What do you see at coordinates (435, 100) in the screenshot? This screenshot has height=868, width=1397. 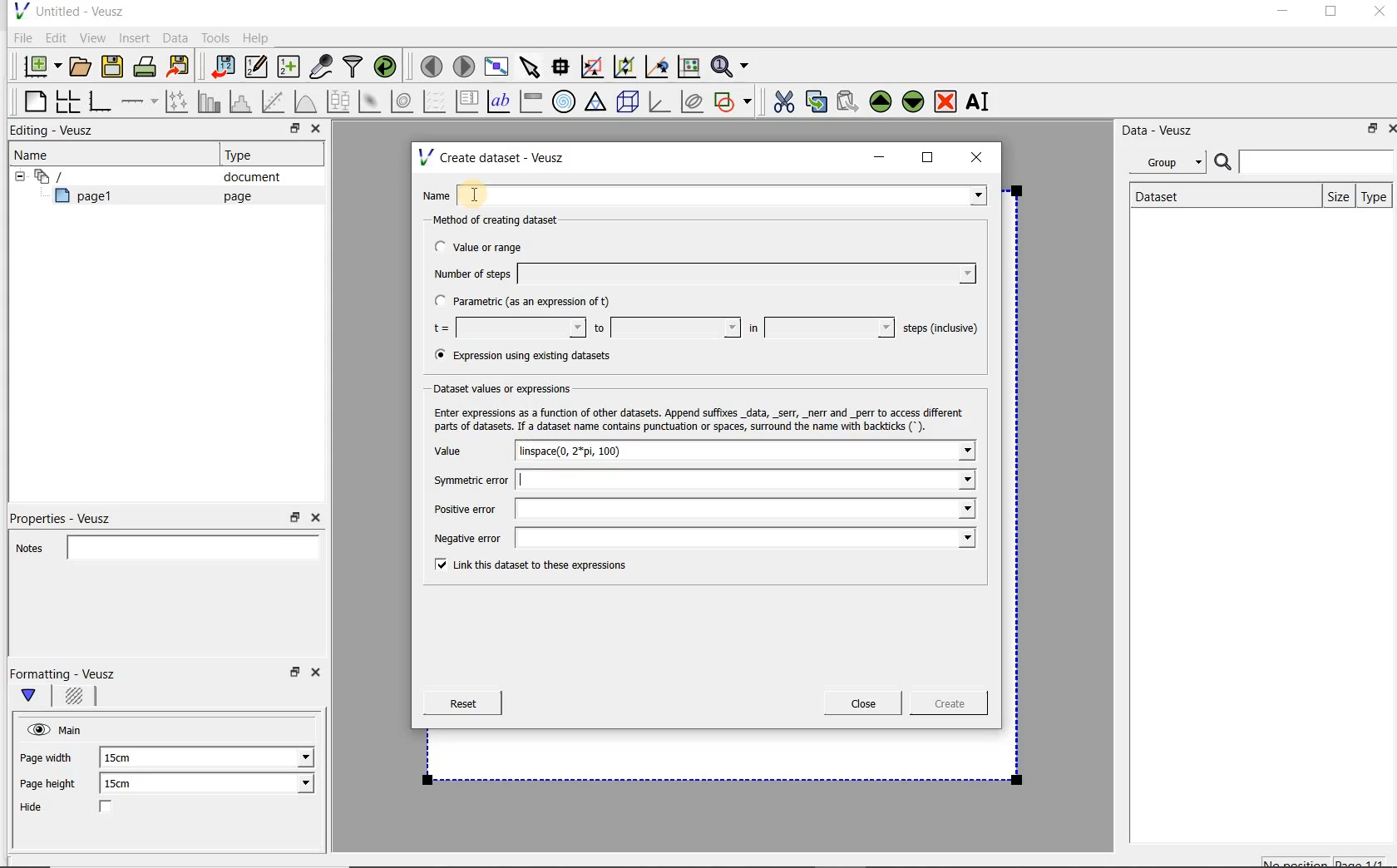 I see `plot a vector field` at bounding box center [435, 100].